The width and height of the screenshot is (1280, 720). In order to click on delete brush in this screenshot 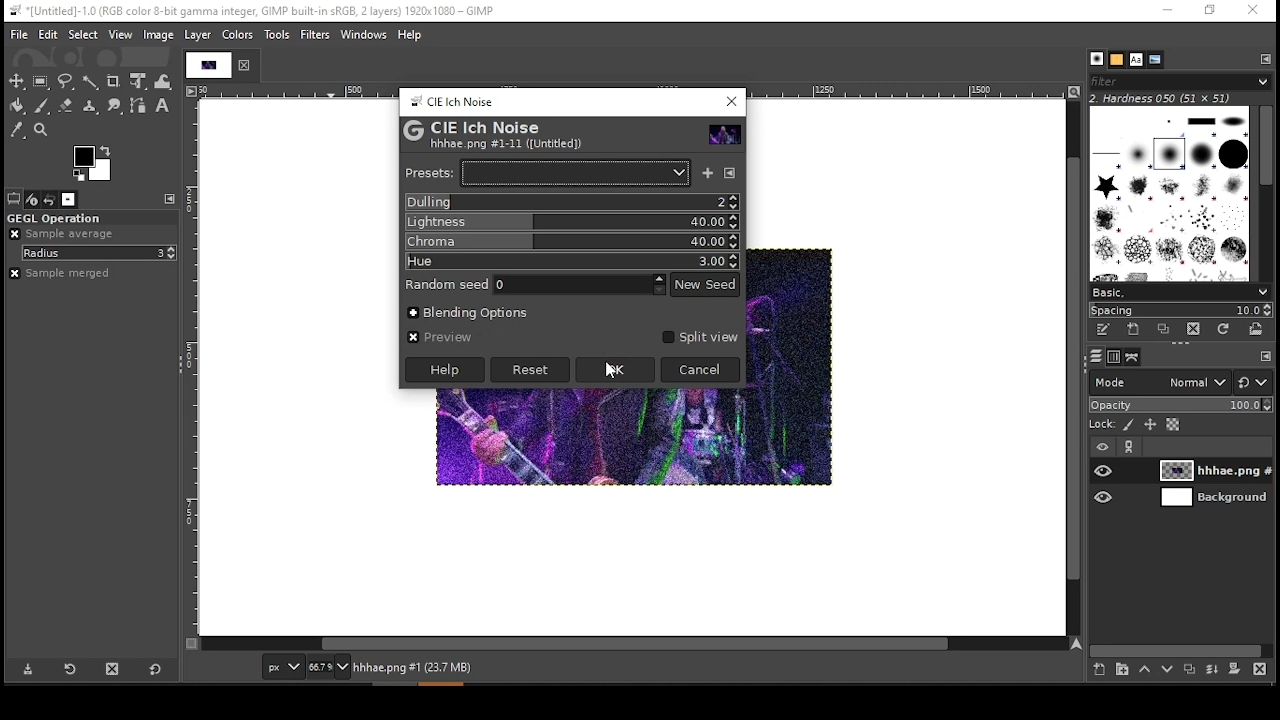, I will do `click(1197, 330)`.